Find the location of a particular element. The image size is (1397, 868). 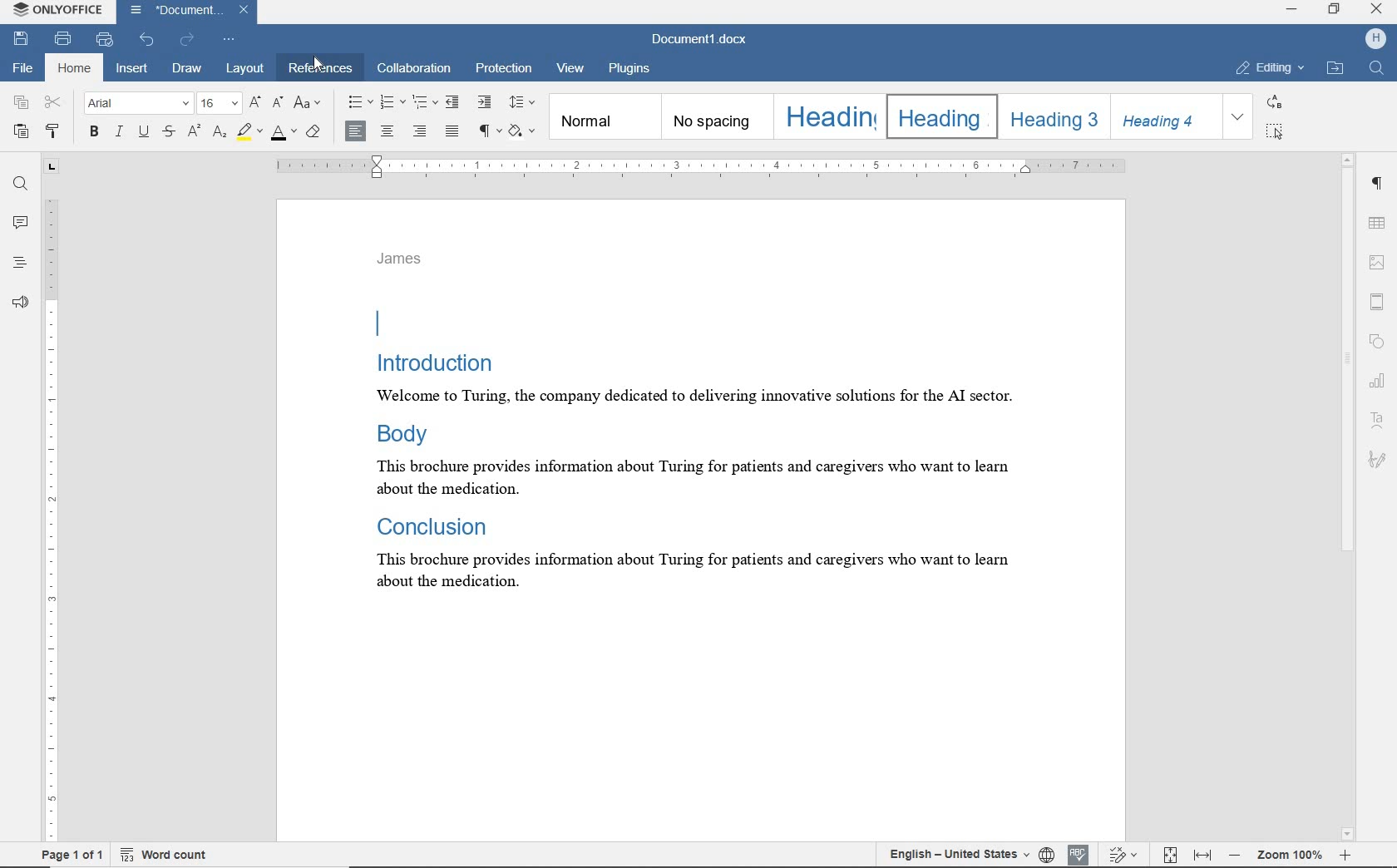

text art is located at coordinates (1376, 417).